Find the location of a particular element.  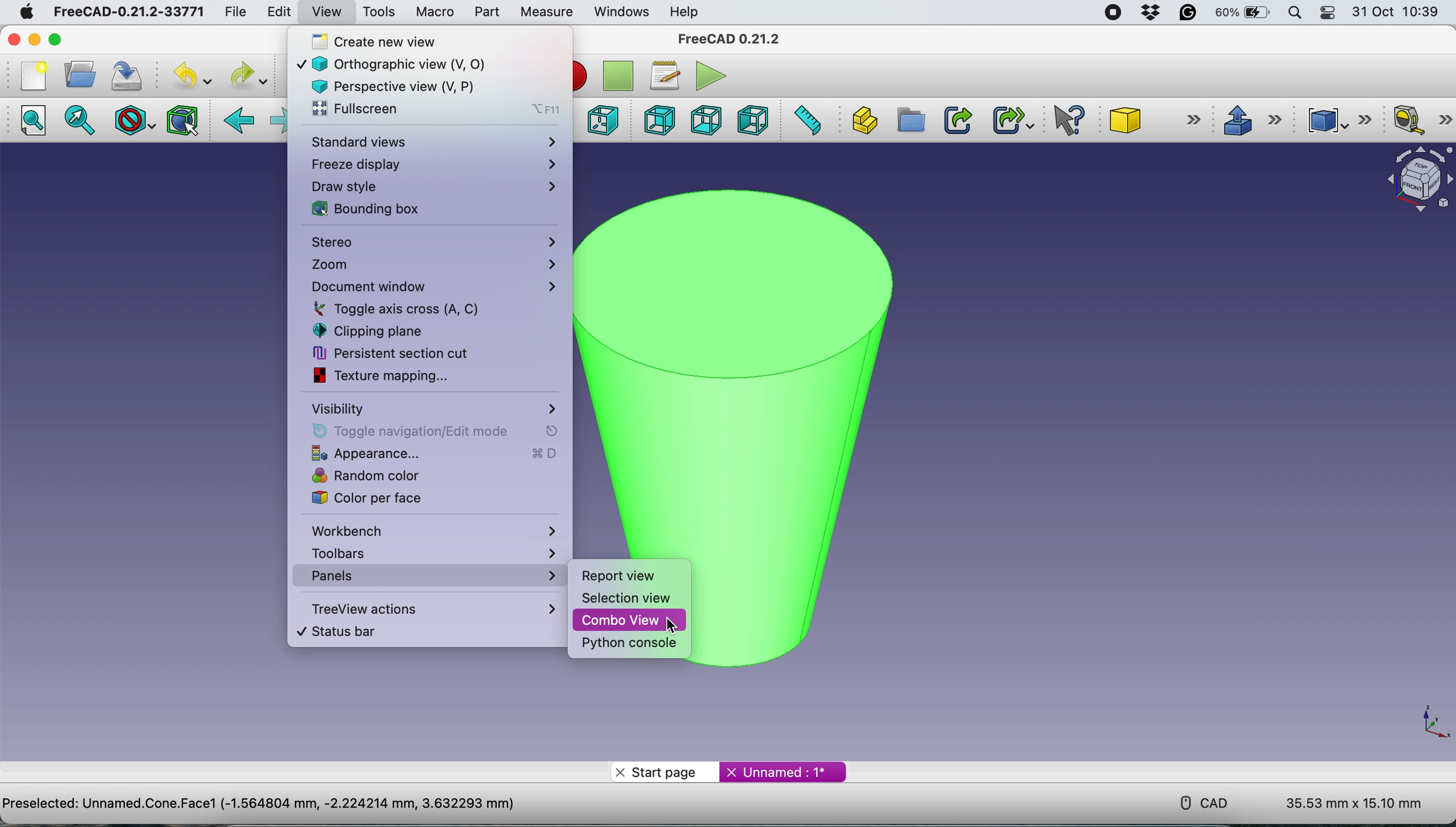

execute macros is located at coordinates (708, 76).